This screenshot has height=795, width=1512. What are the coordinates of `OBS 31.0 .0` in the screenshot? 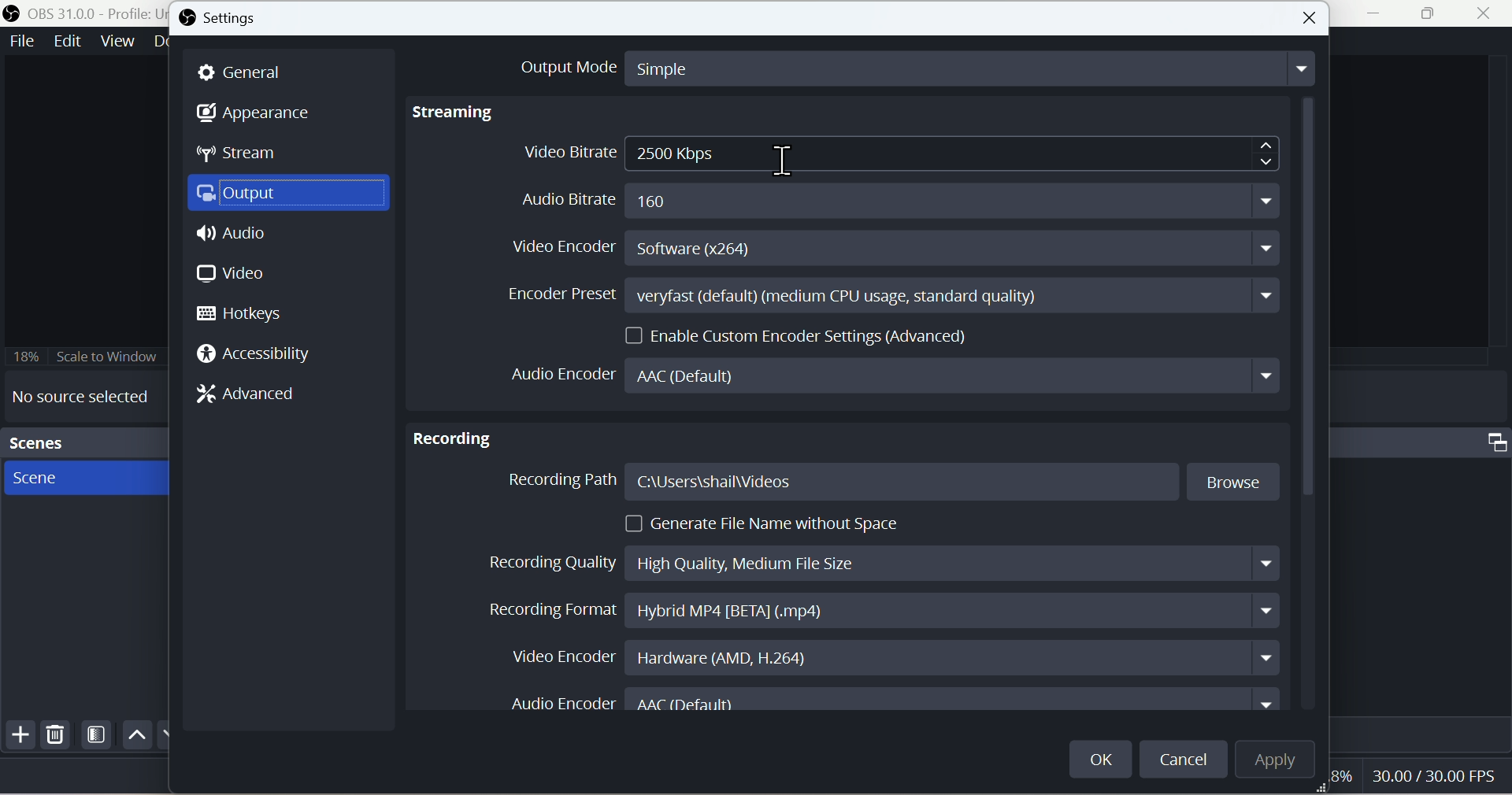 It's located at (82, 13).